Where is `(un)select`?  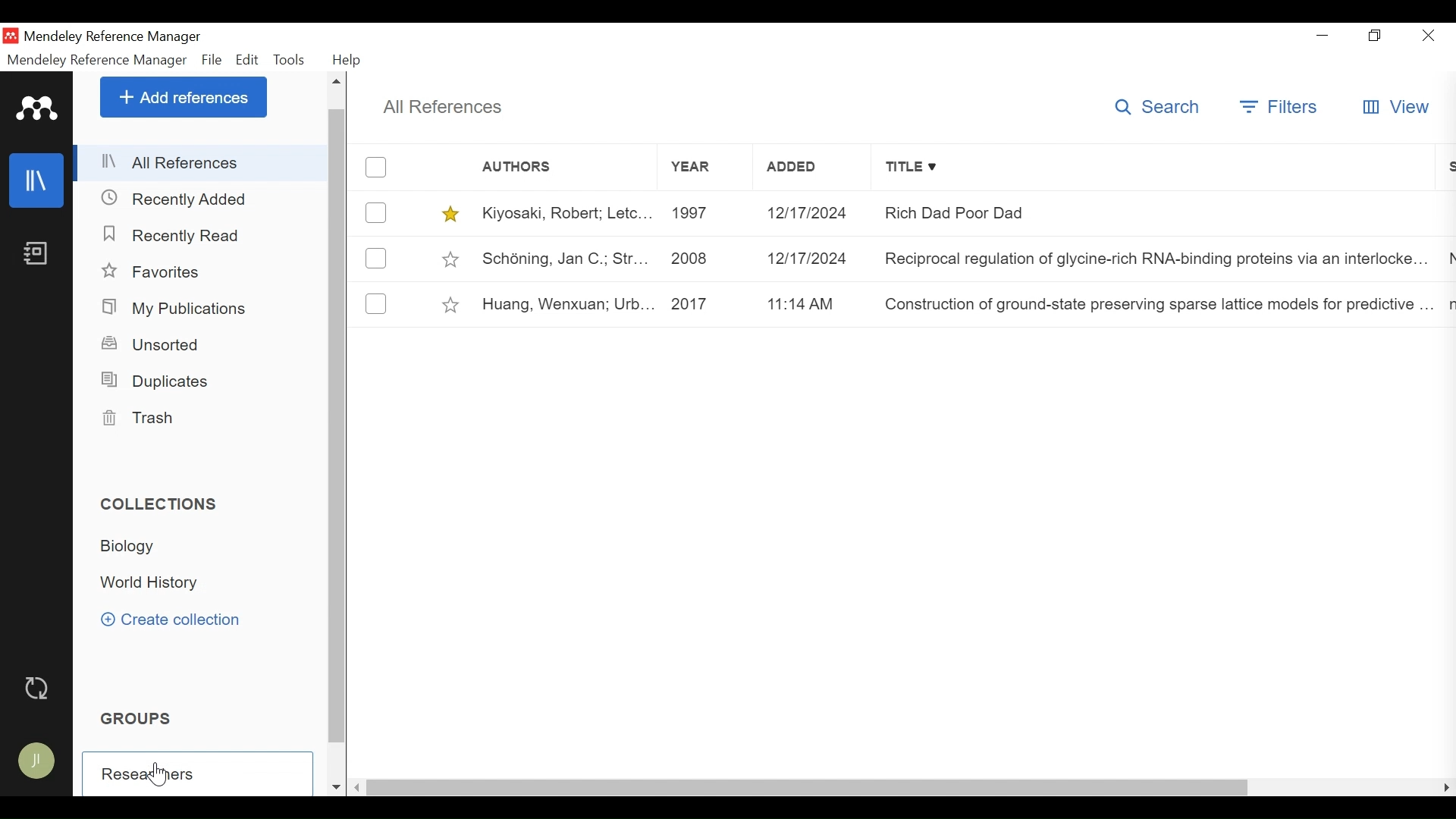
(un)select is located at coordinates (375, 259).